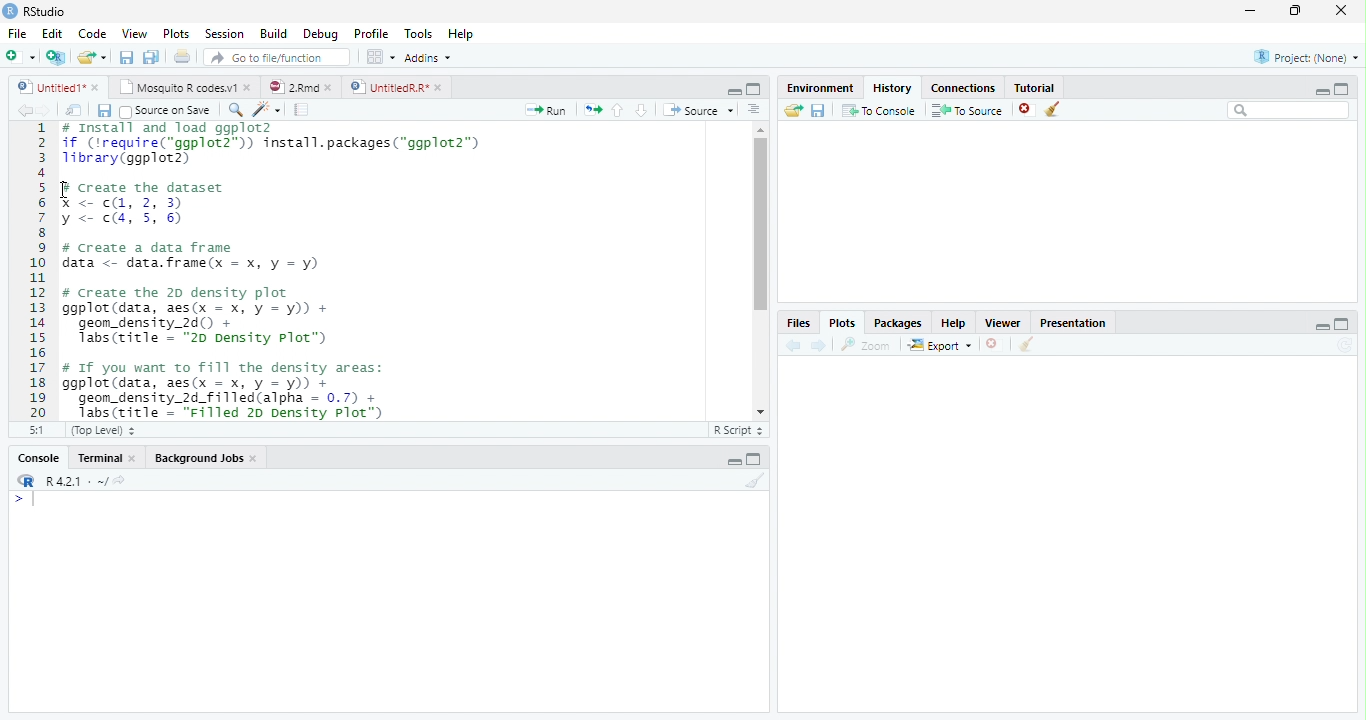 This screenshot has height=720, width=1366. I want to click on Source, so click(698, 110).